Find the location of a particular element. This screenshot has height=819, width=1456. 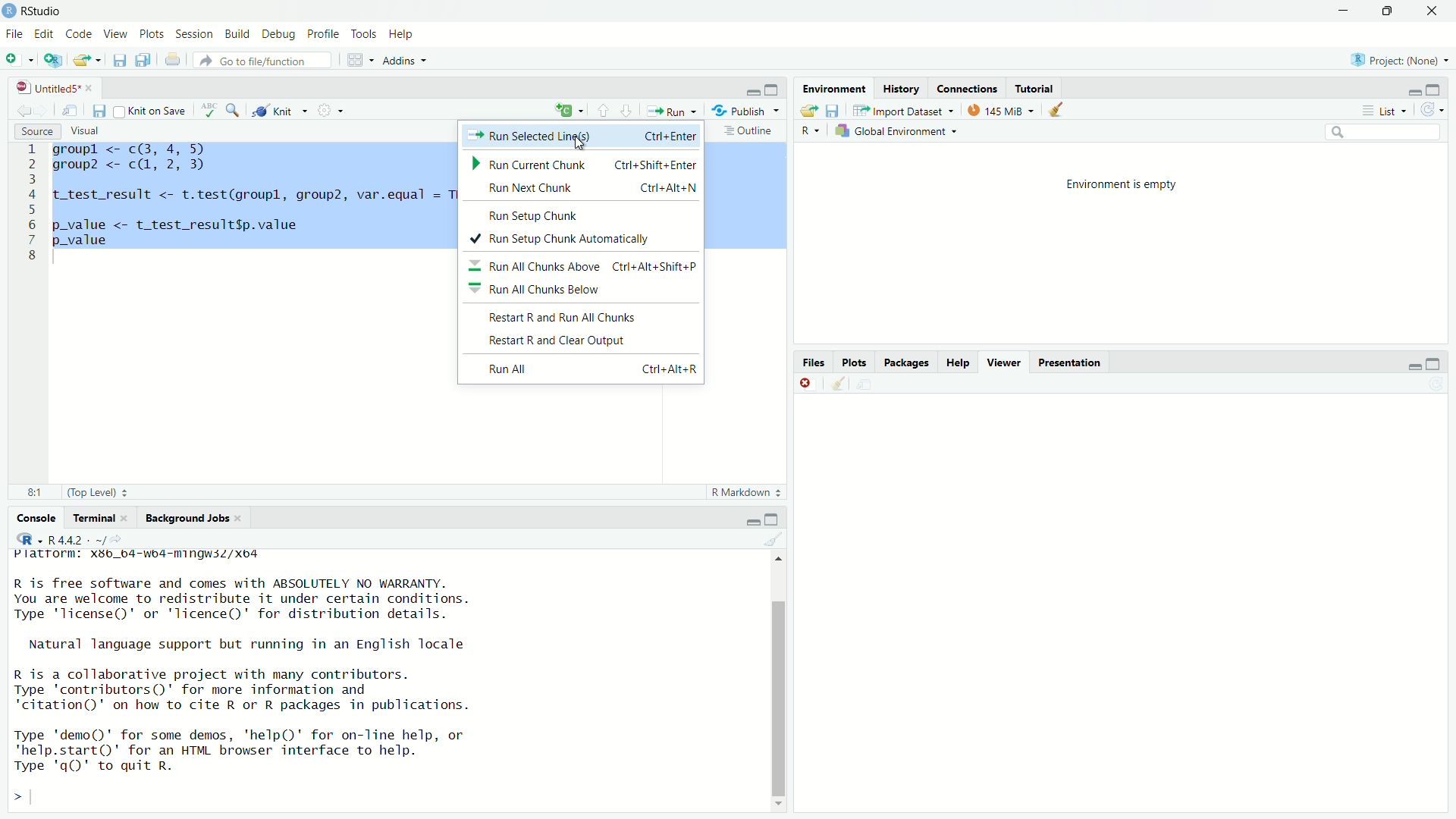

maximise is located at coordinates (775, 519).